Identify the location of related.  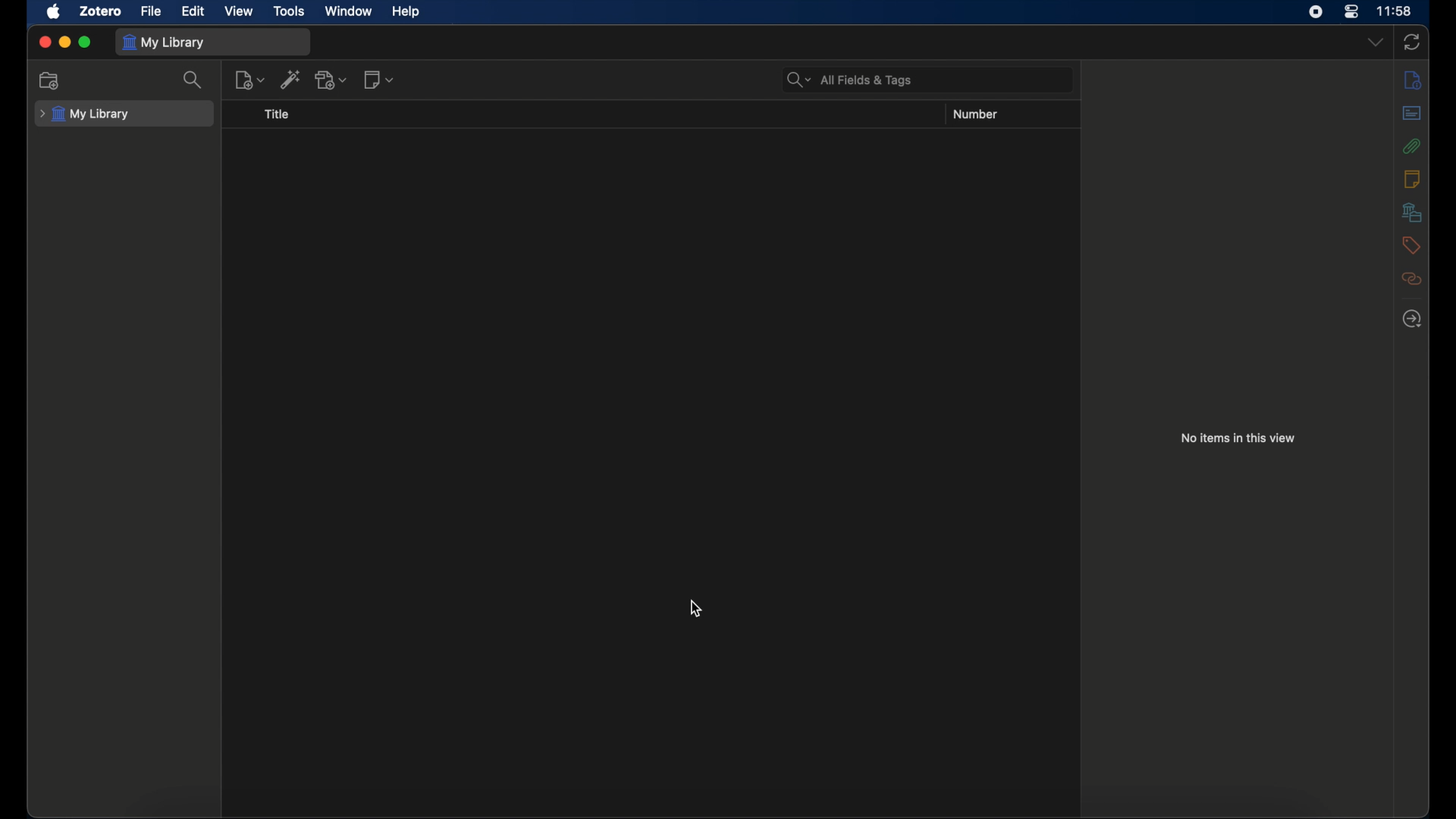
(1412, 279).